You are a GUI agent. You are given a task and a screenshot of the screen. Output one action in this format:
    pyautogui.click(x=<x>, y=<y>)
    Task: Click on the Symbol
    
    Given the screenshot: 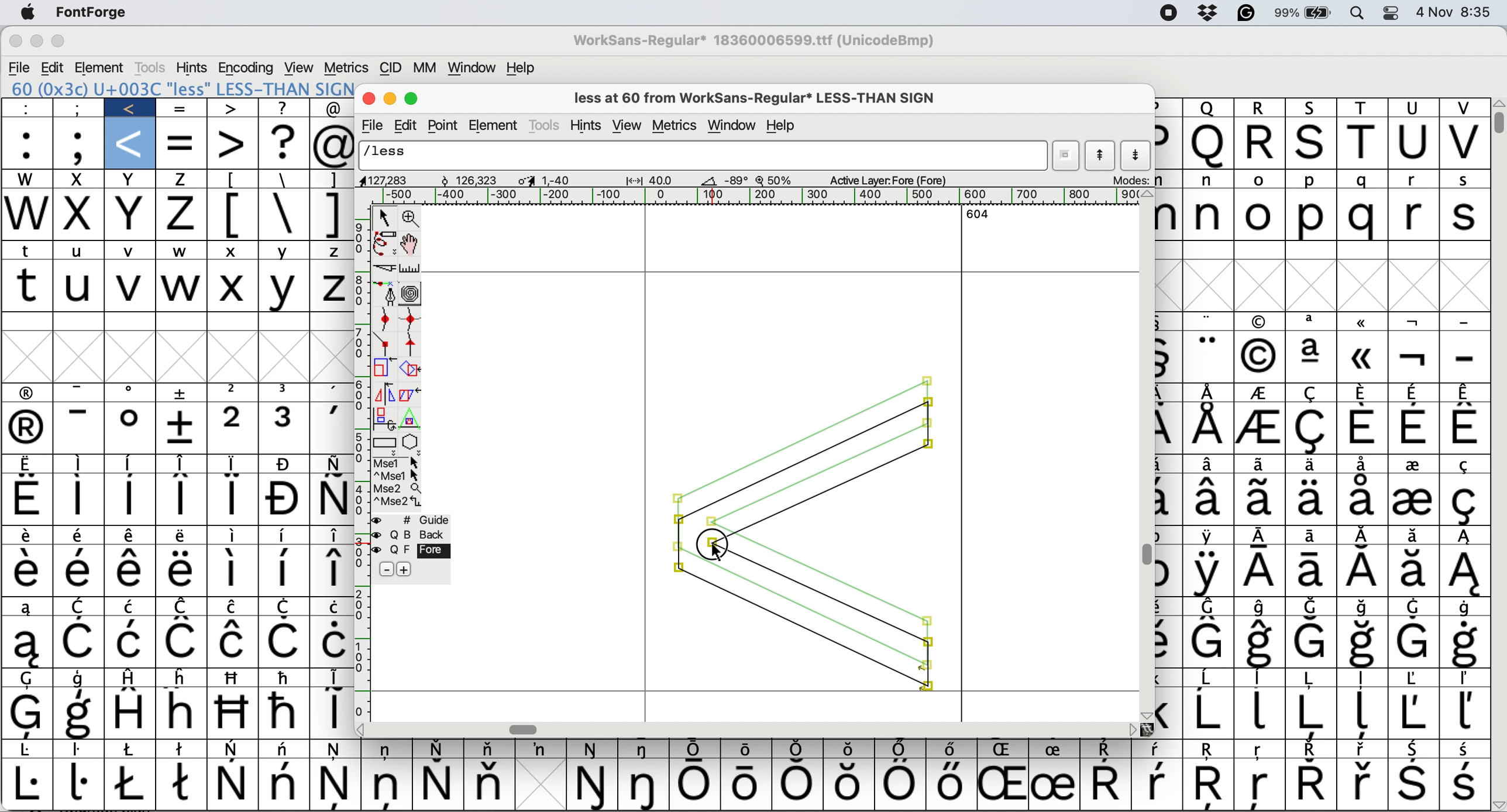 What is the action you would take?
    pyautogui.click(x=1259, y=679)
    